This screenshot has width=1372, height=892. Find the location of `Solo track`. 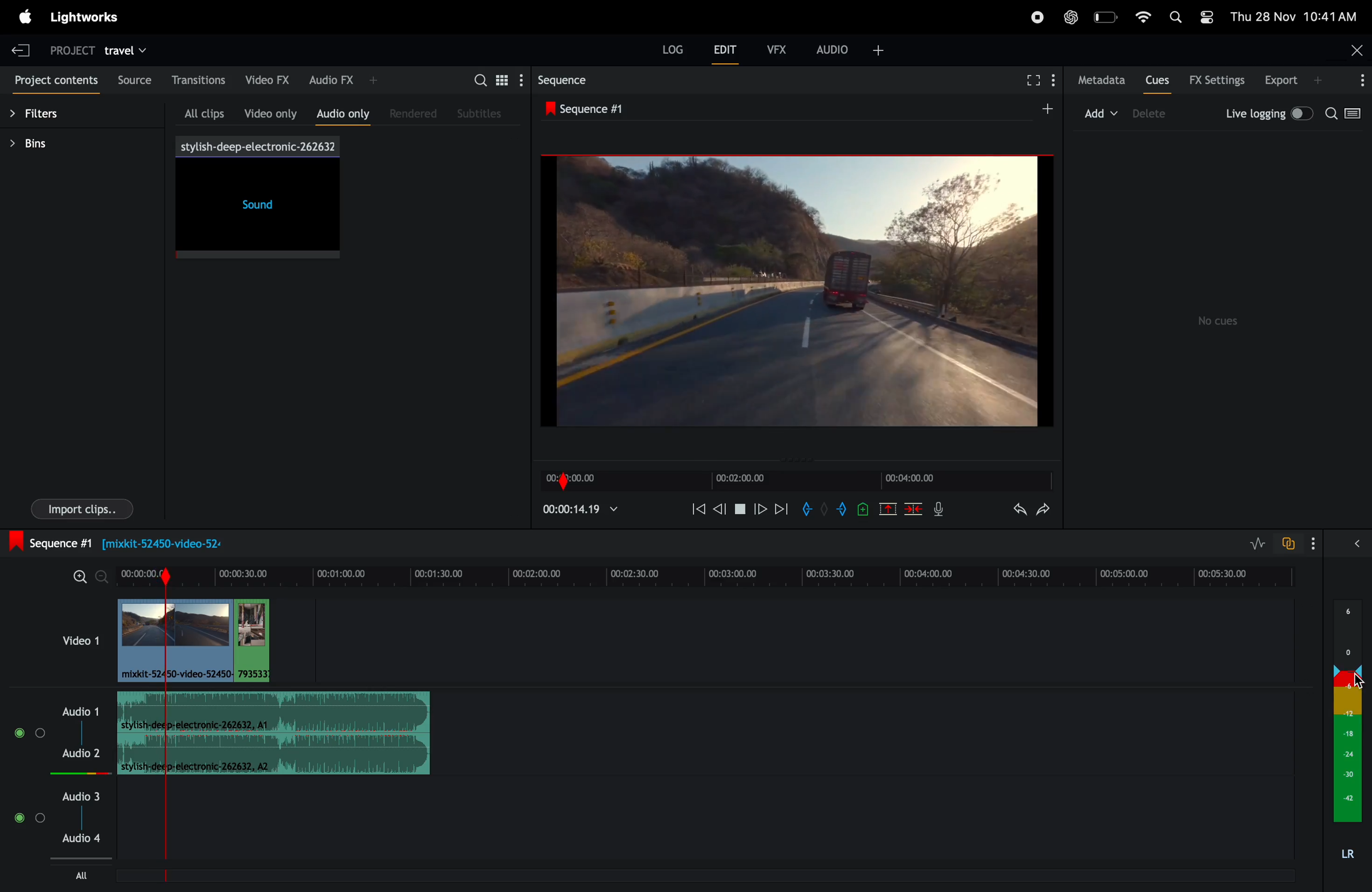

Solo track is located at coordinates (45, 735).